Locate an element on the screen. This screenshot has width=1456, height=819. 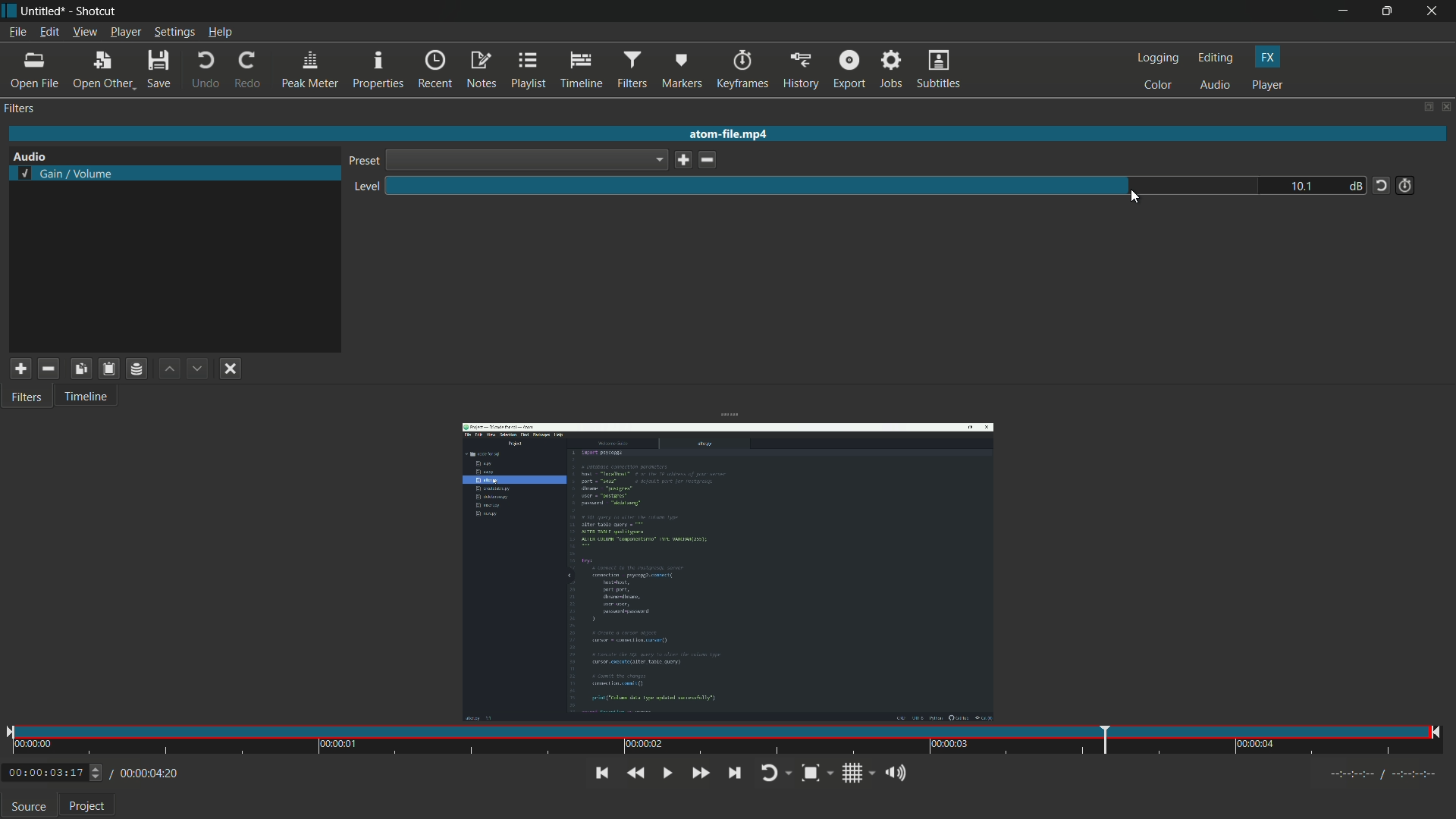
playlist is located at coordinates (529, 70).